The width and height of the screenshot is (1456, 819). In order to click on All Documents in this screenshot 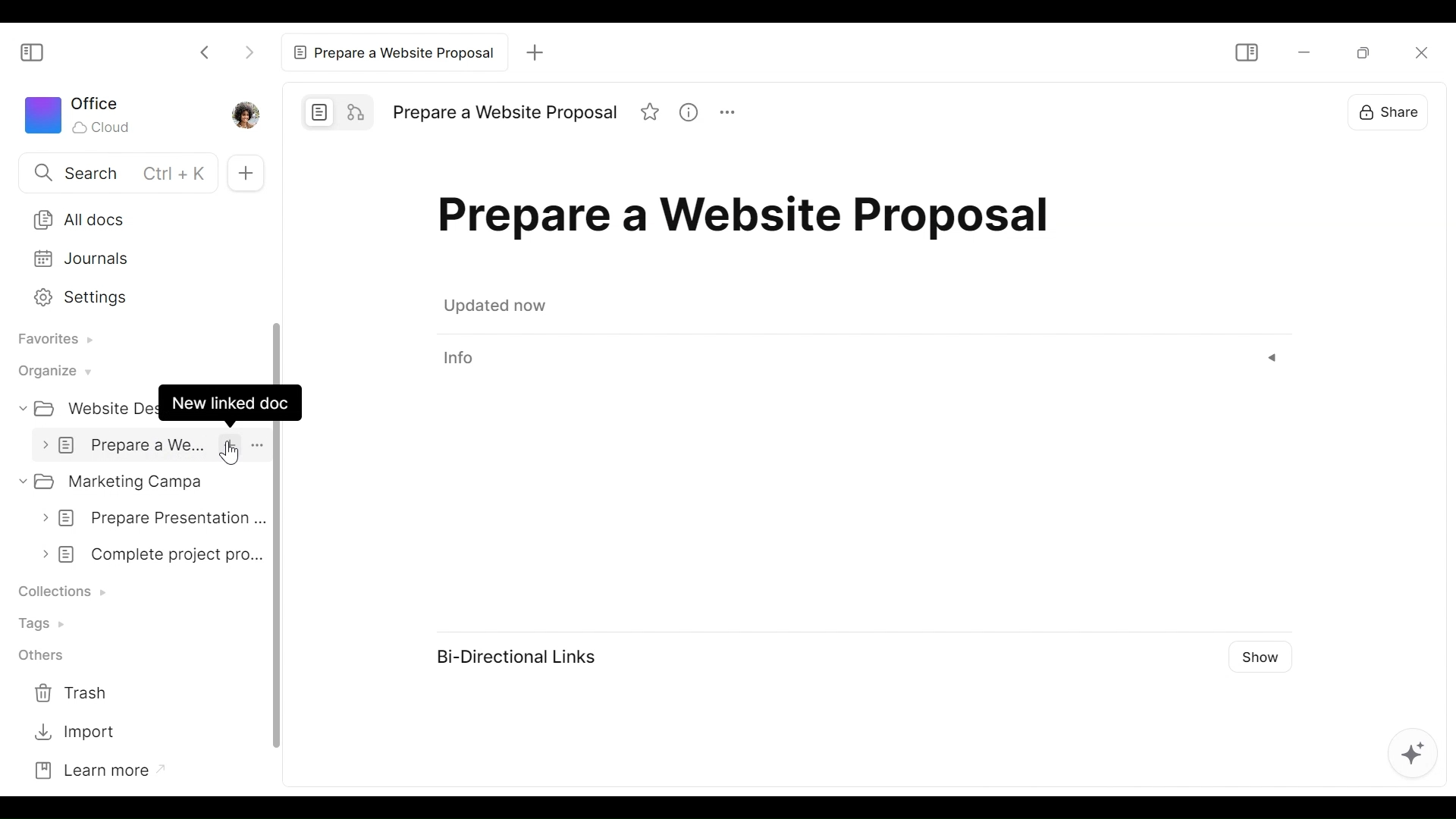, I will do `click(137, 219)`.